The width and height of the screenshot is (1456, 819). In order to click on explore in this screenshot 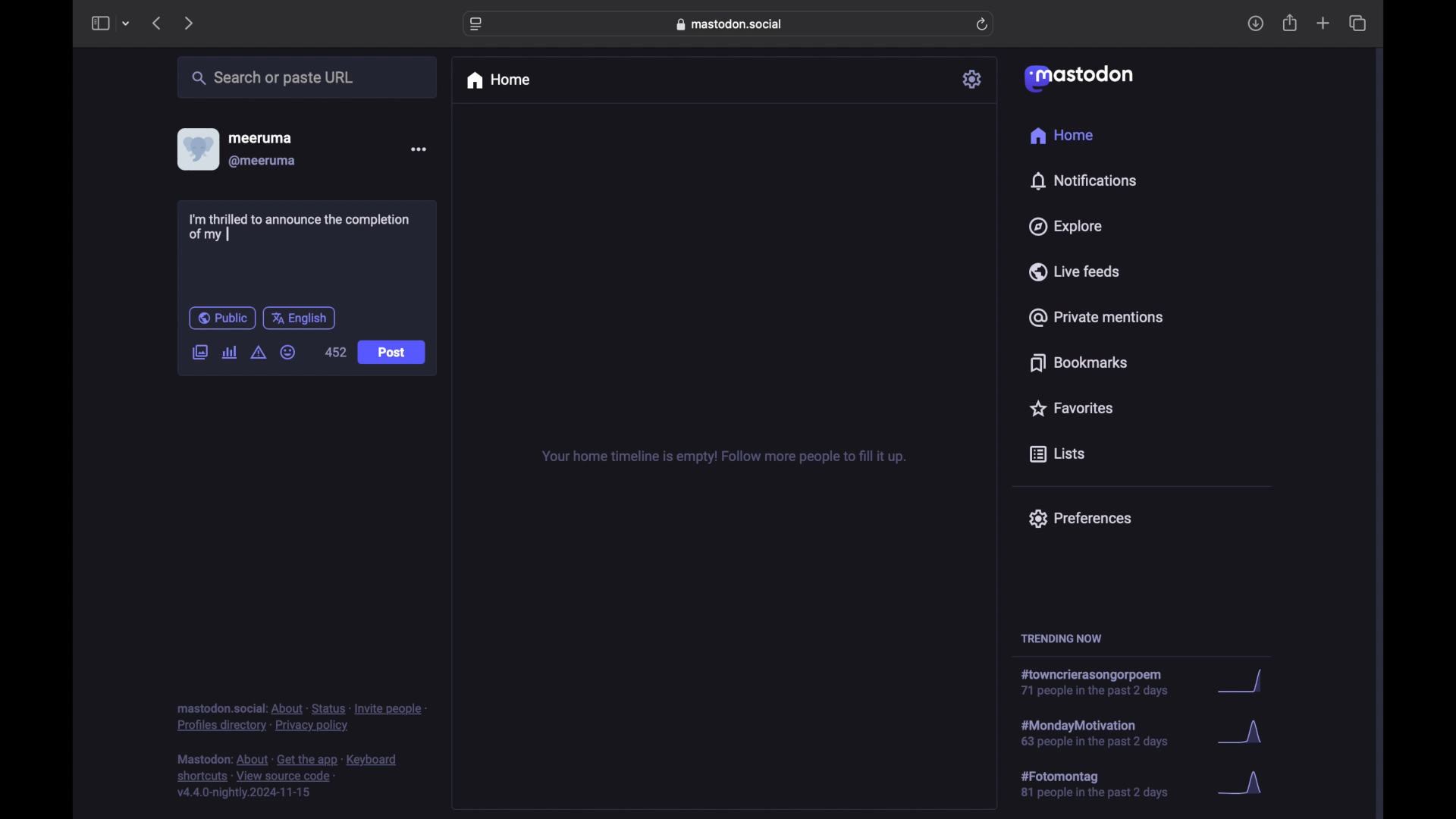, I will do `click(1066, 227)`.